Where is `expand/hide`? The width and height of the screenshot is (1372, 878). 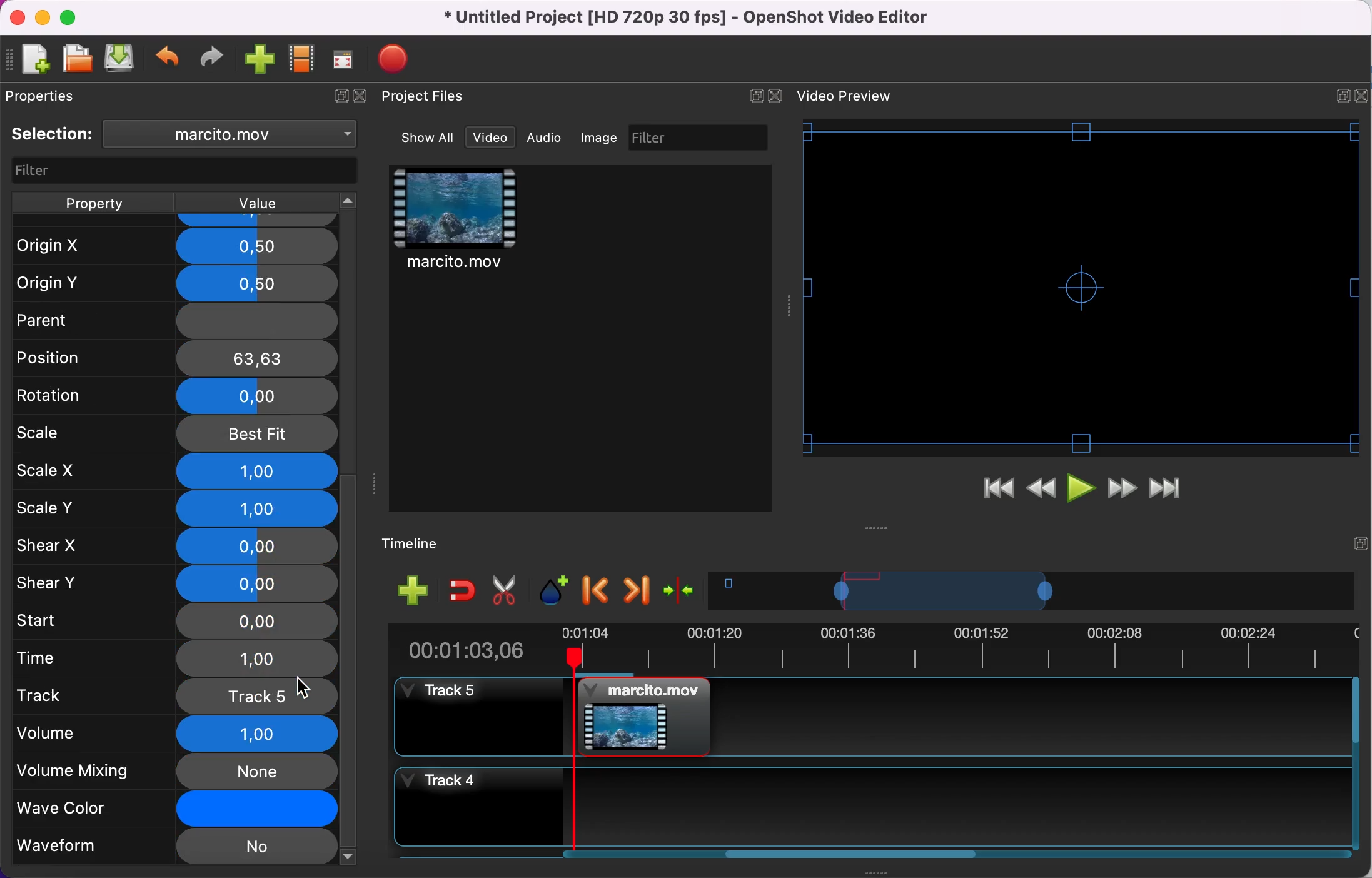 expand/hide is located at coordinates (338, 97).